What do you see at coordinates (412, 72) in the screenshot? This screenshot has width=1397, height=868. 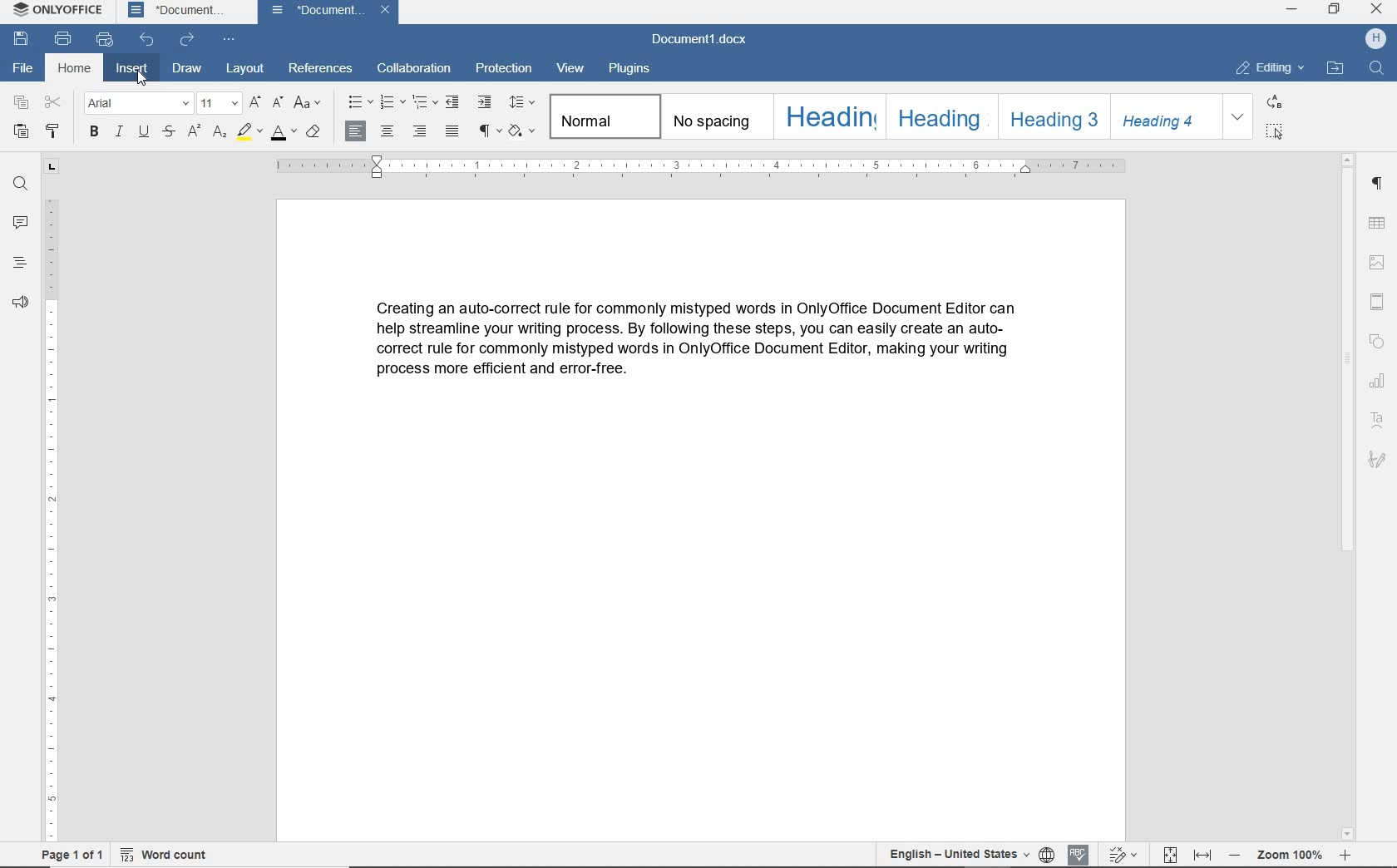 I see `collaboration` at bounding box center [412, 72].